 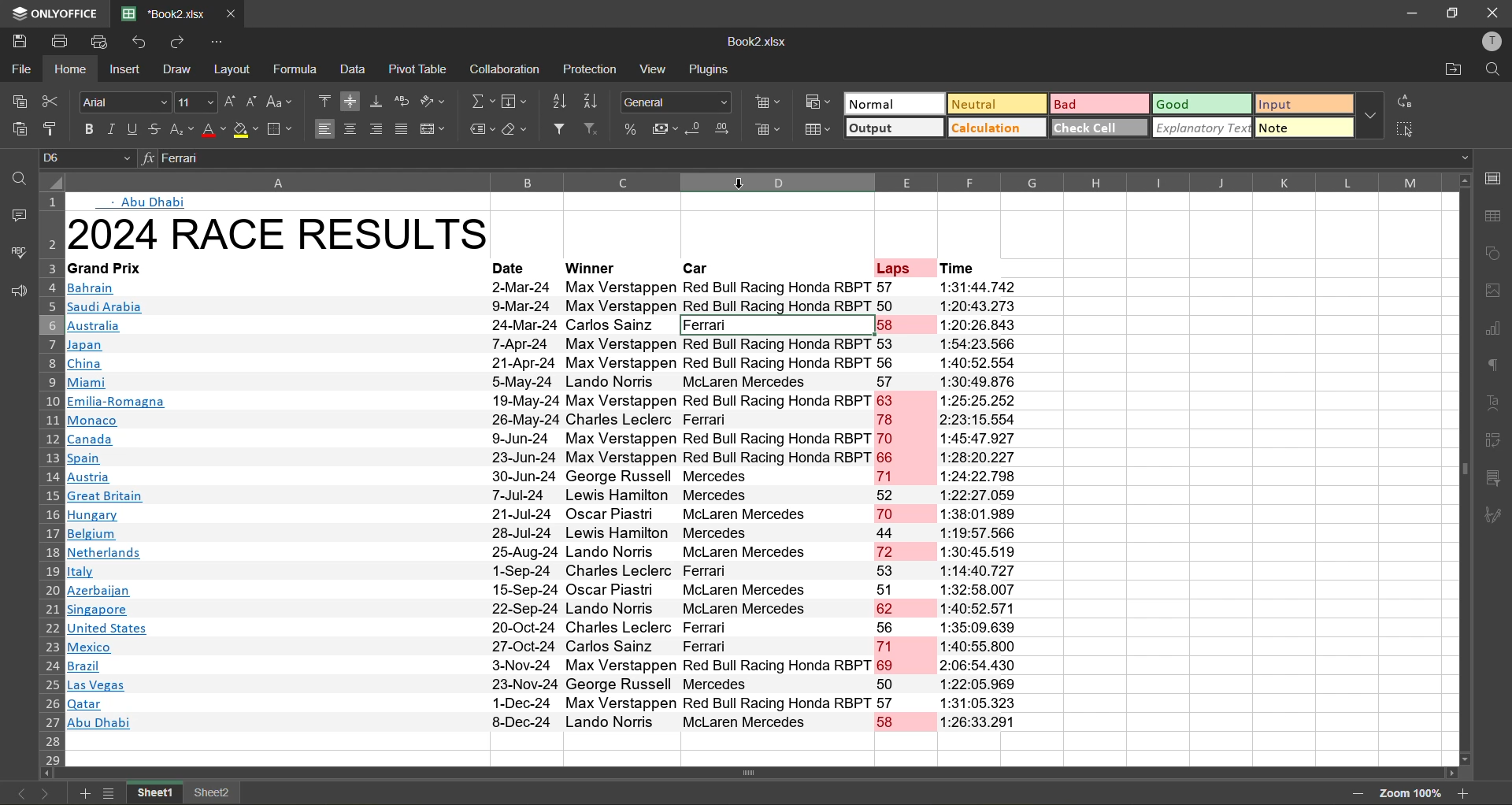 What do you see at coordinates (1404, 102) in the screenshot?
I see `replace` at bounding box center [1404, 102].